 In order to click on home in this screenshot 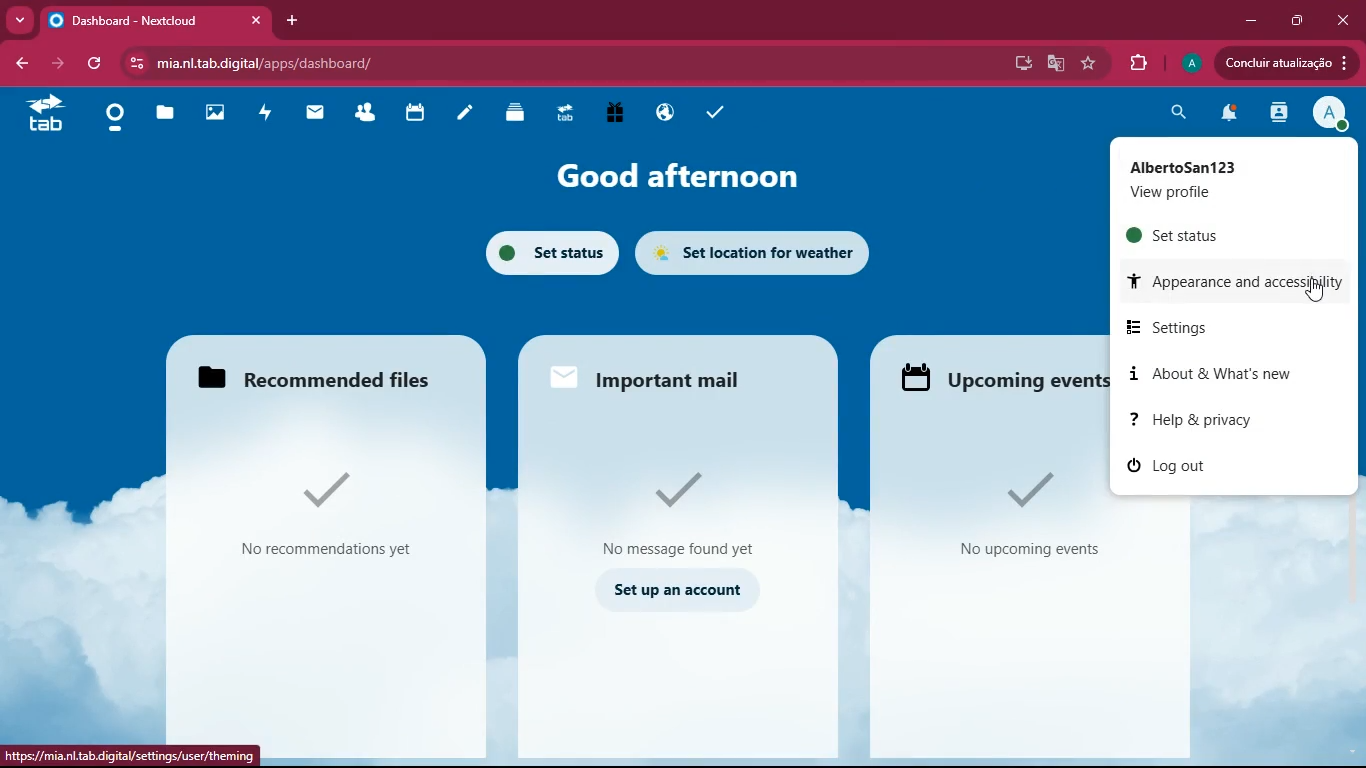, I will do `click(121, 117)`.